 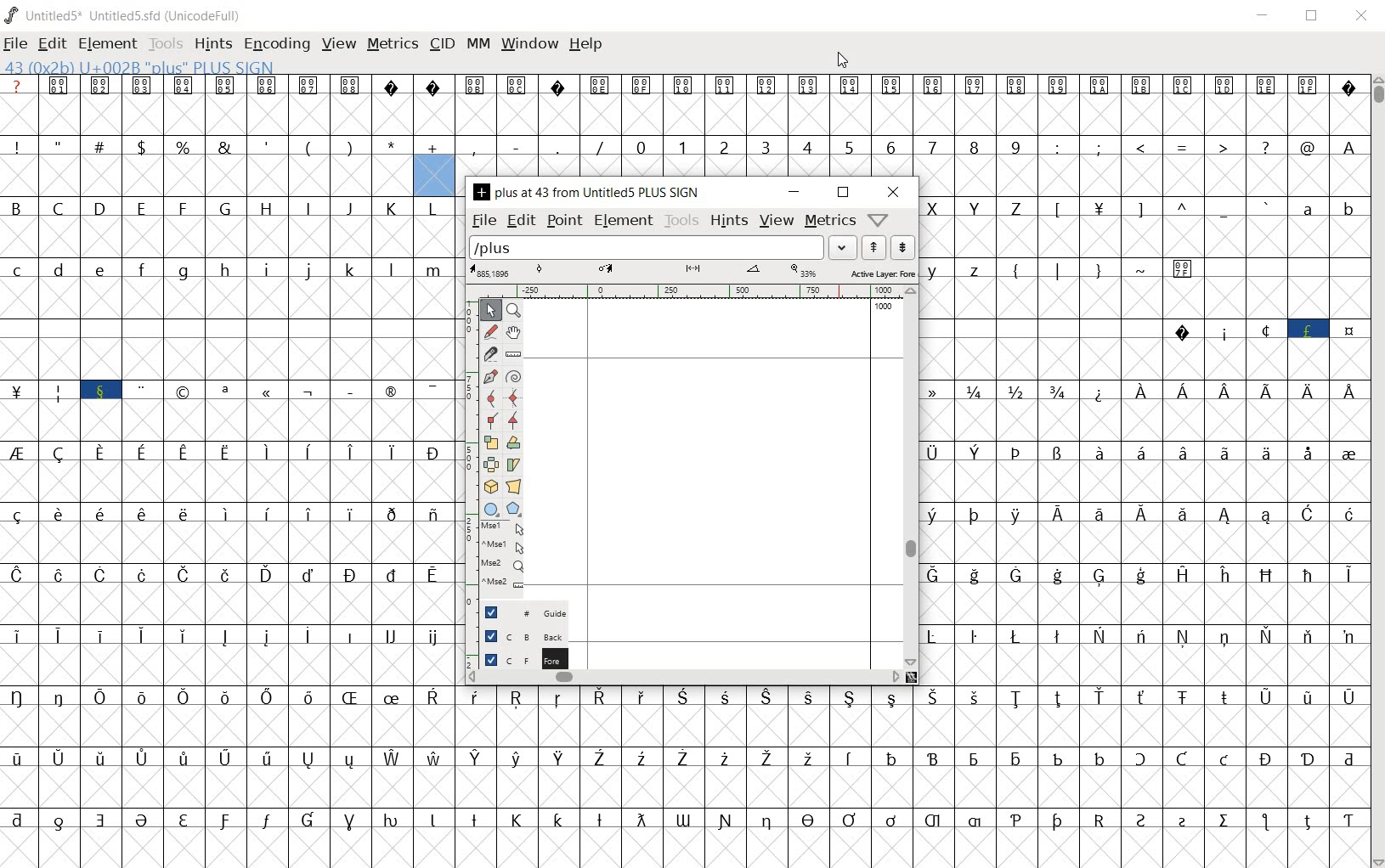 I want to click on cursor, so click(x=845, y=61).